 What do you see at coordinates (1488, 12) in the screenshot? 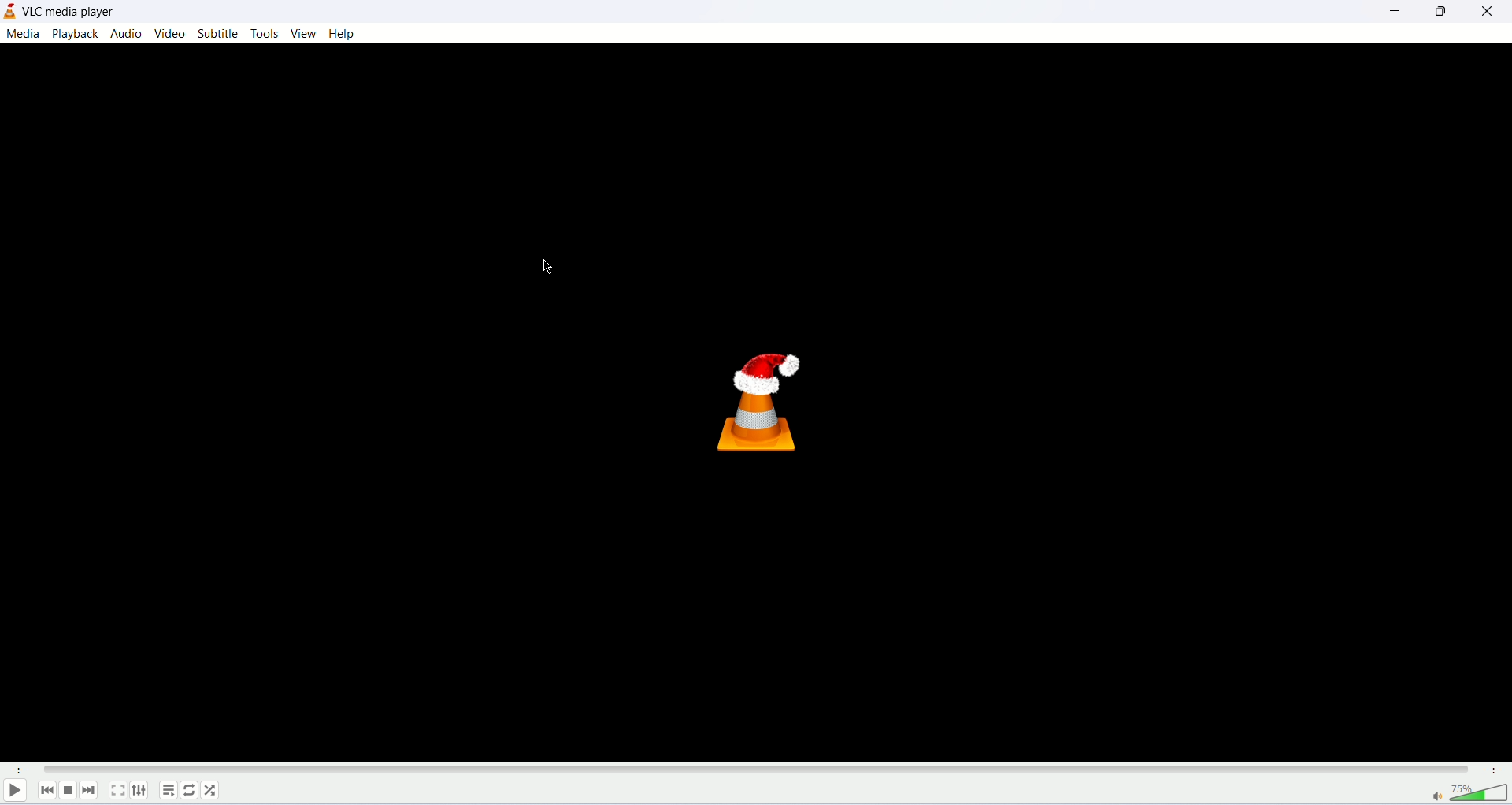
I see `close` at bounding box center [1488, 12].